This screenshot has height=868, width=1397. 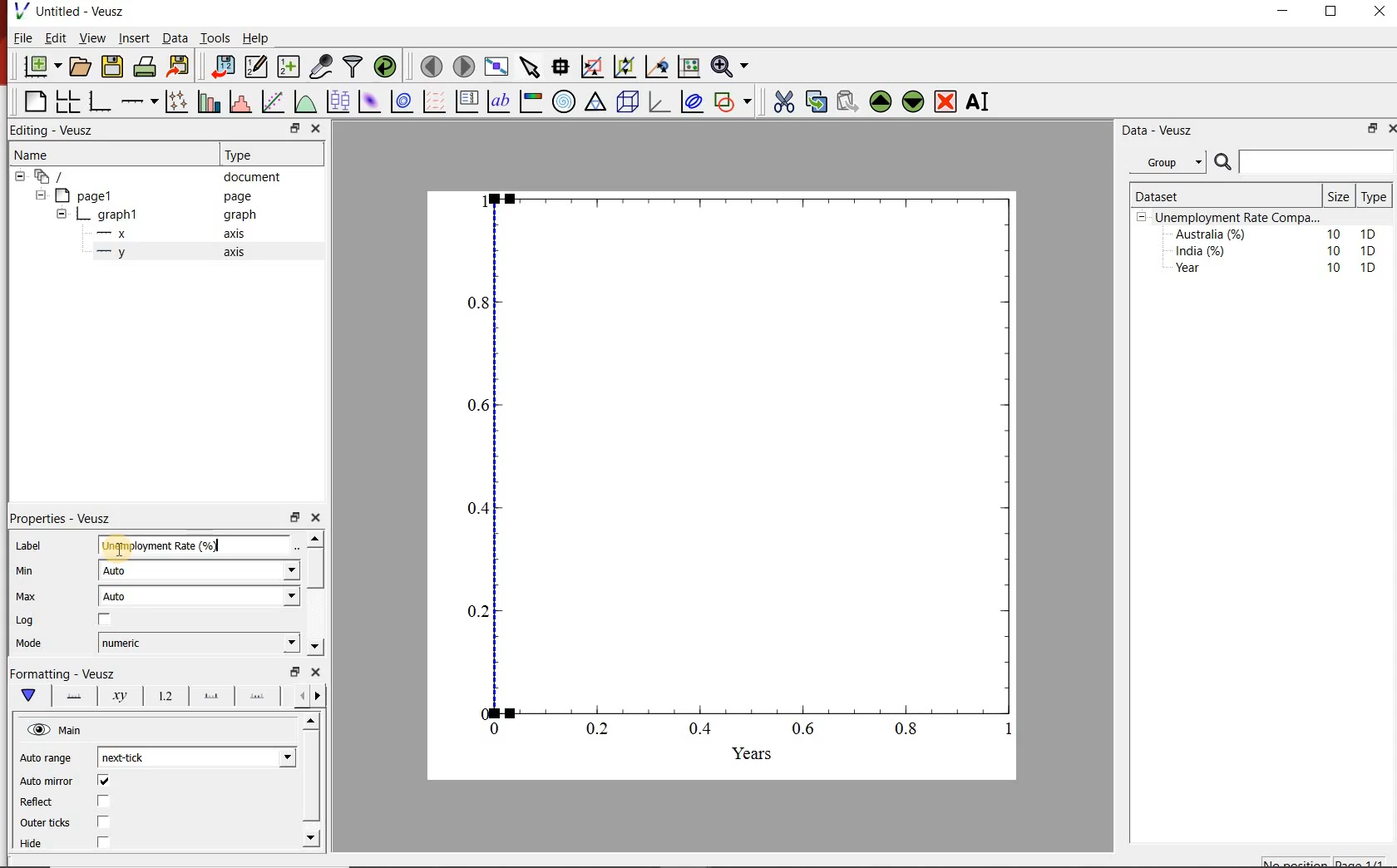 I want to click on Auto range, so click(x=48, y=760).